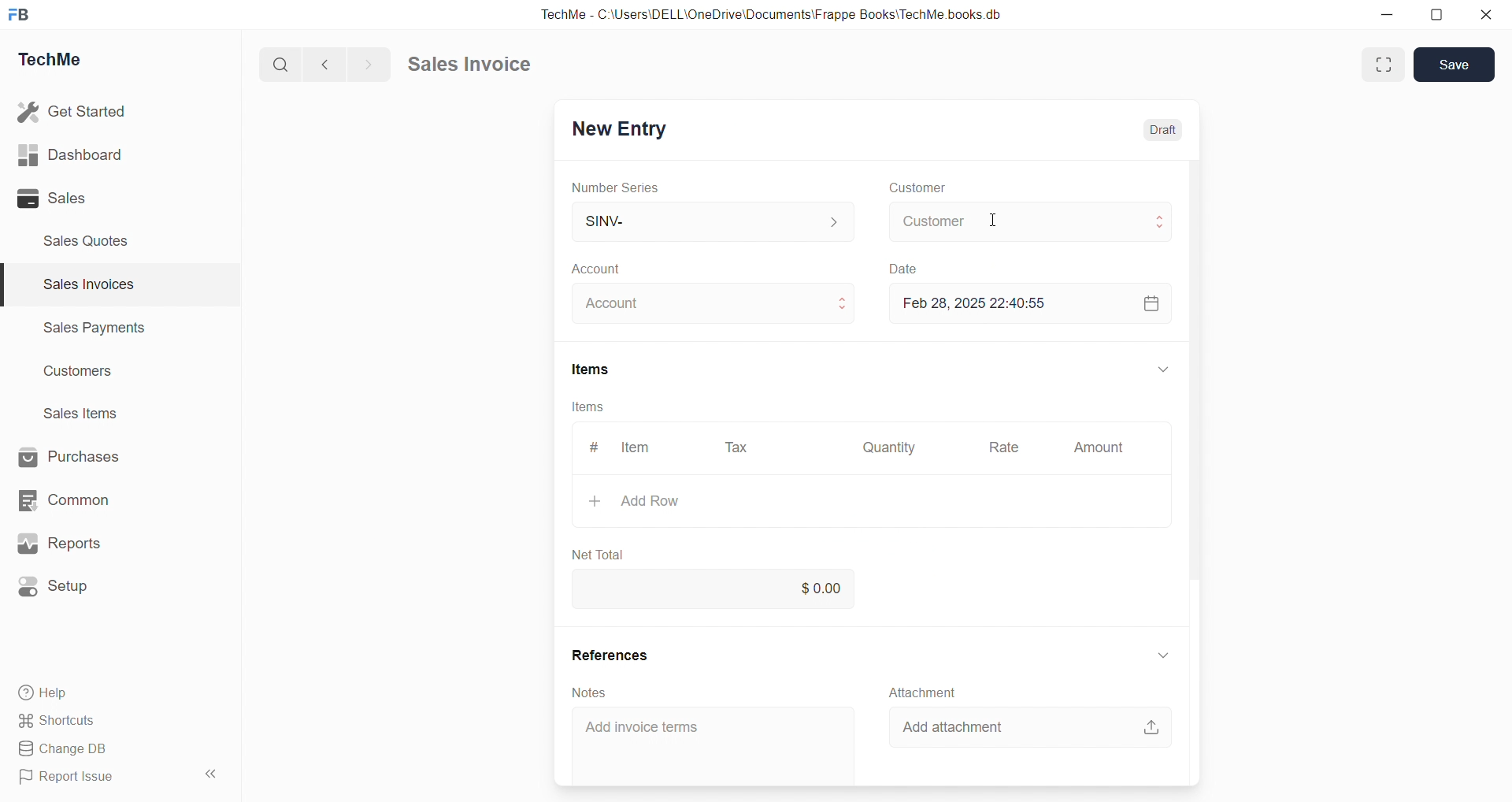  Describe the element at coordinates (1164, 369) in the screenshot. I see `down` at that location.